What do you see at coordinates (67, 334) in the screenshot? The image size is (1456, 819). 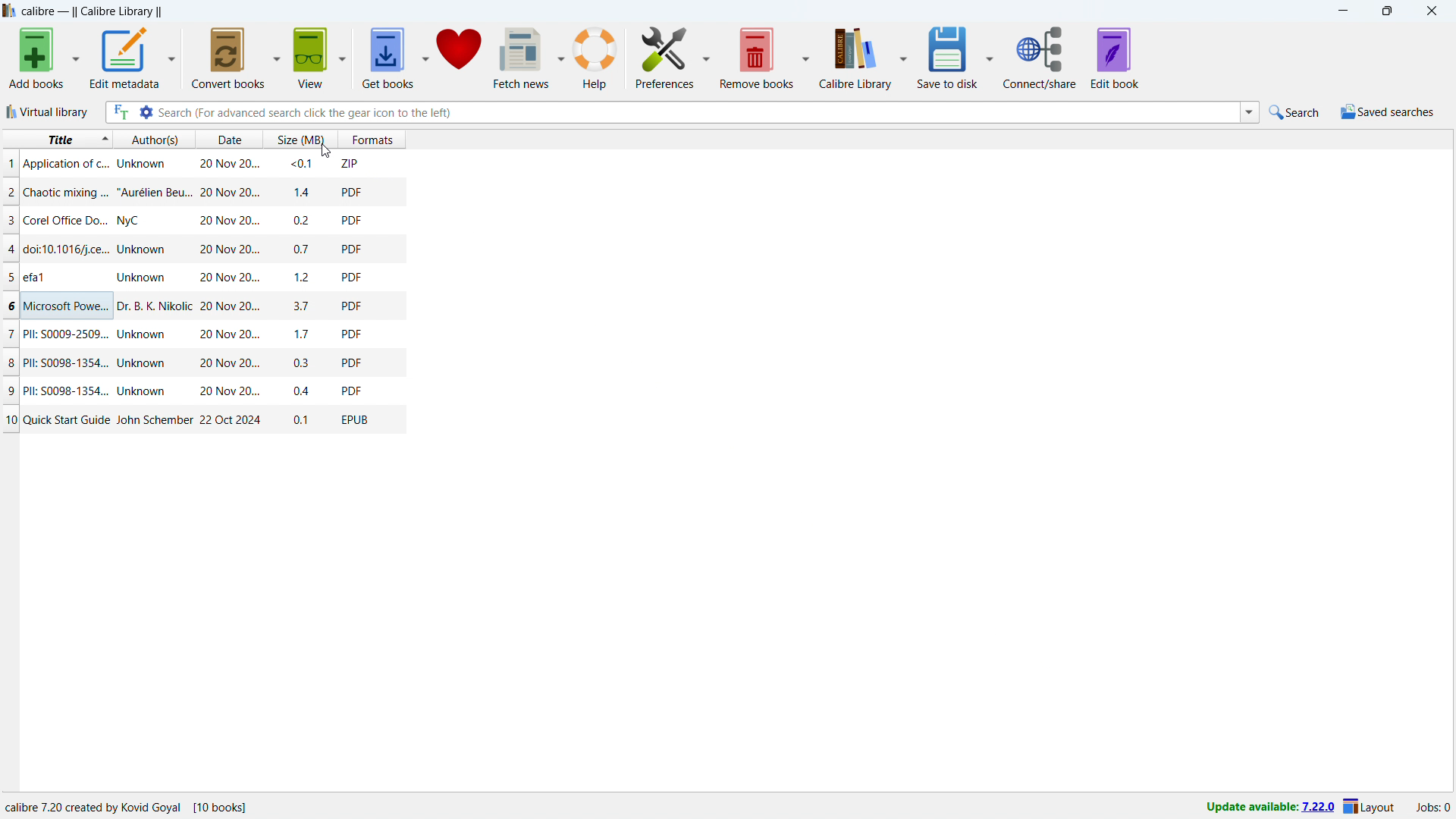 I see `title` at bounding box center [67, 334].